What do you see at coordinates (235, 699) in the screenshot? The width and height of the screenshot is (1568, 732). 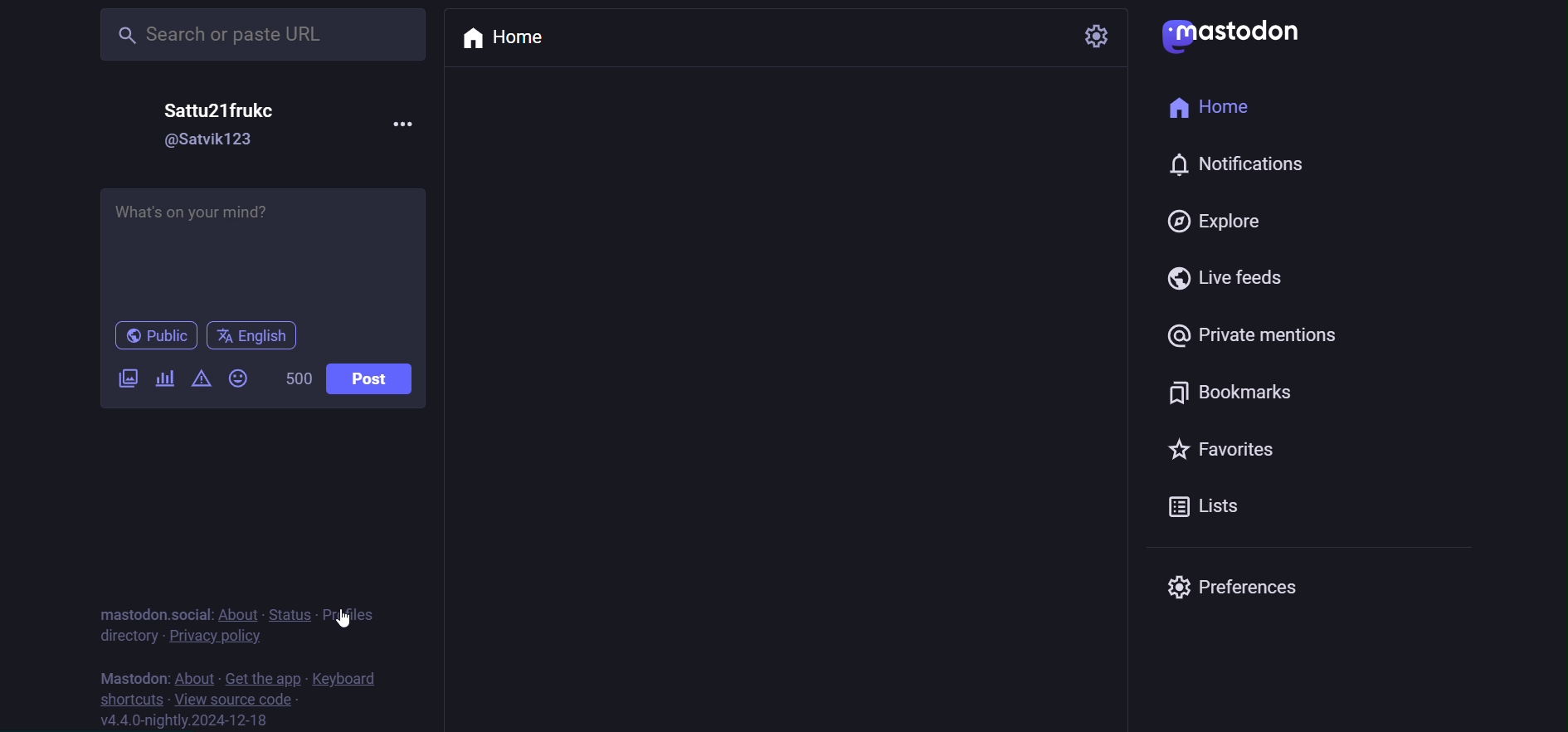 I see `source code` at bounding box center [235, 699].